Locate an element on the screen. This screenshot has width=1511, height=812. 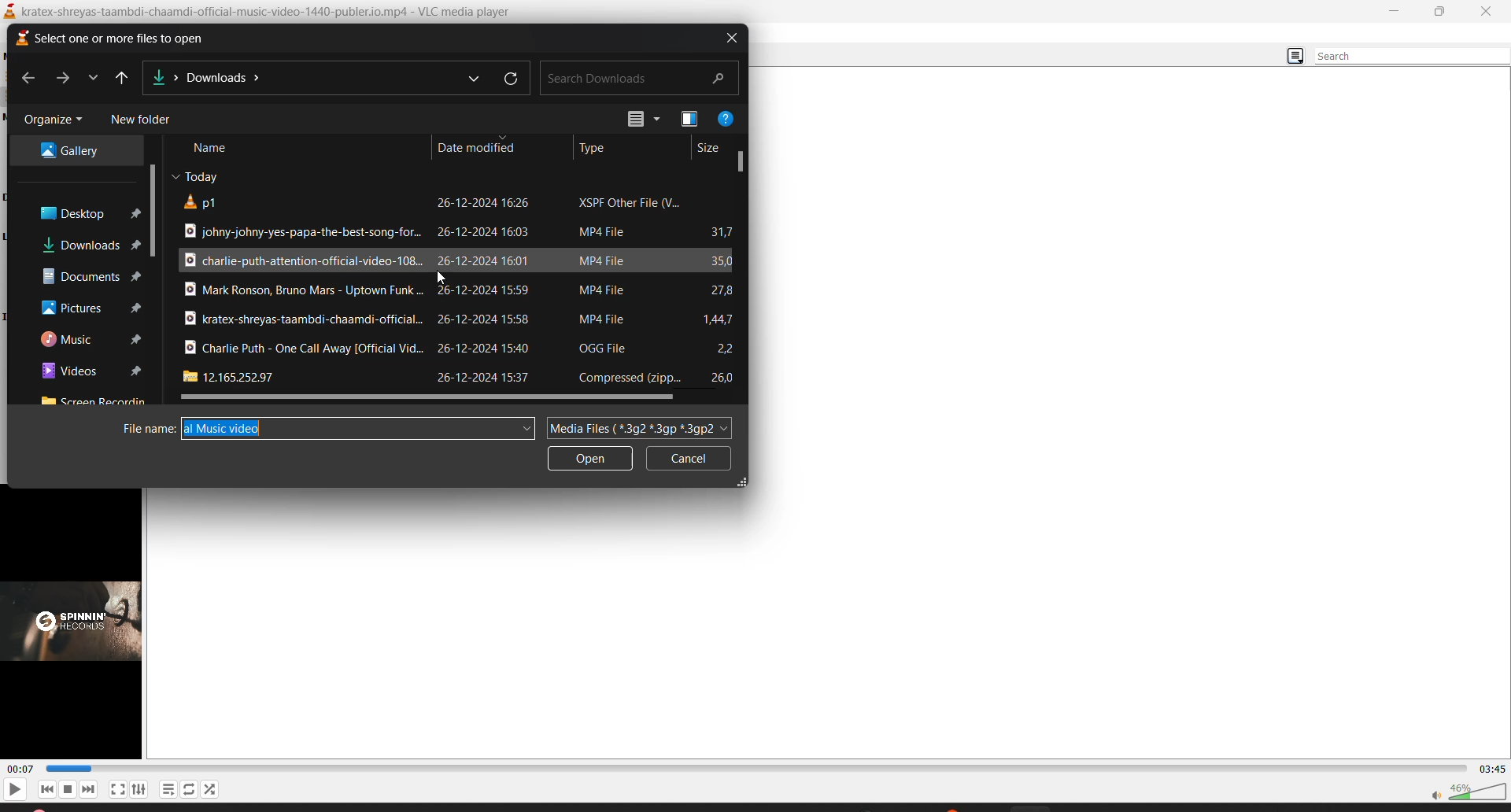
close is located at coordinates (1483, 13).